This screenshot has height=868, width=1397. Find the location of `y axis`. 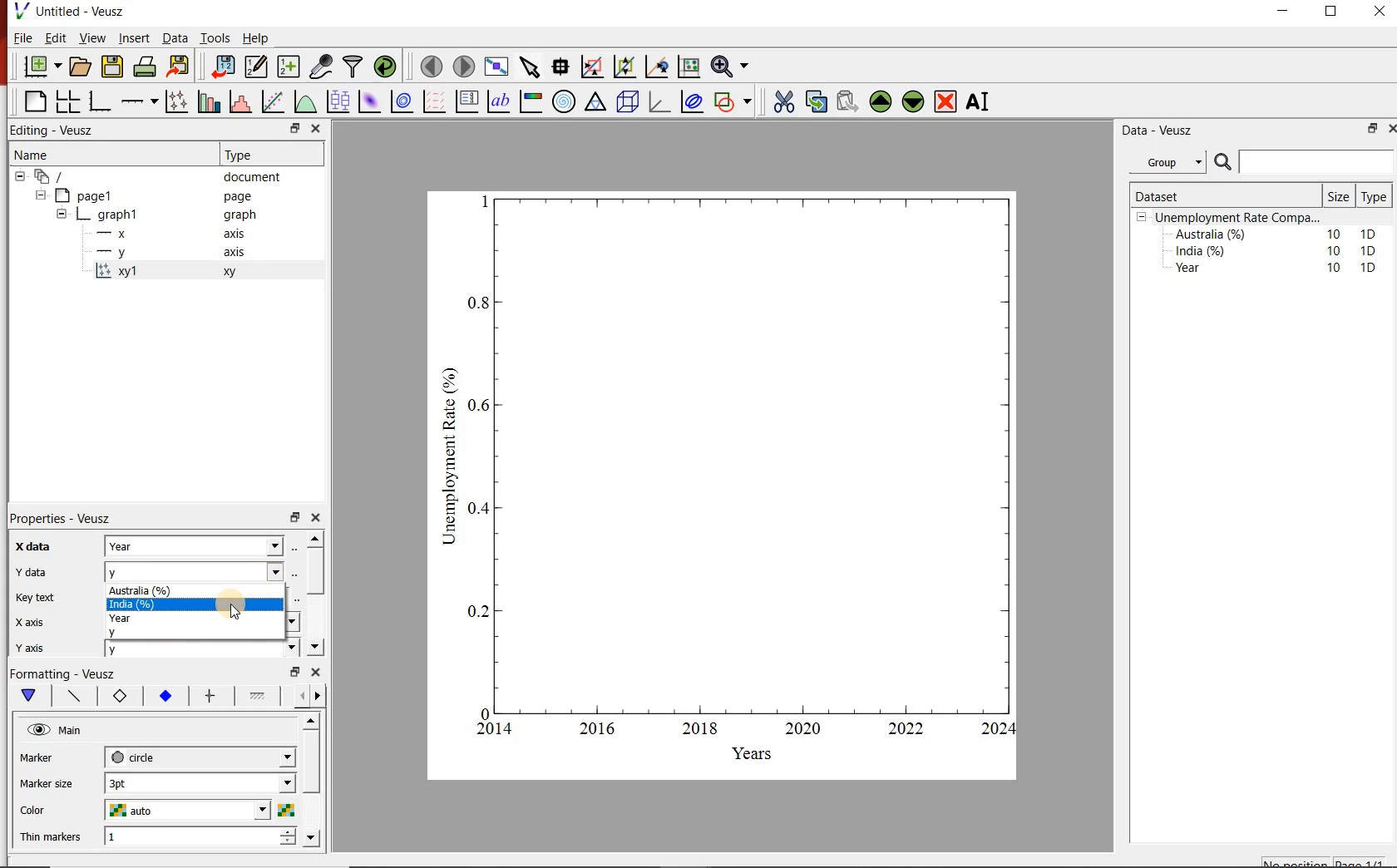

y axis is located at coordinates (41, 645).